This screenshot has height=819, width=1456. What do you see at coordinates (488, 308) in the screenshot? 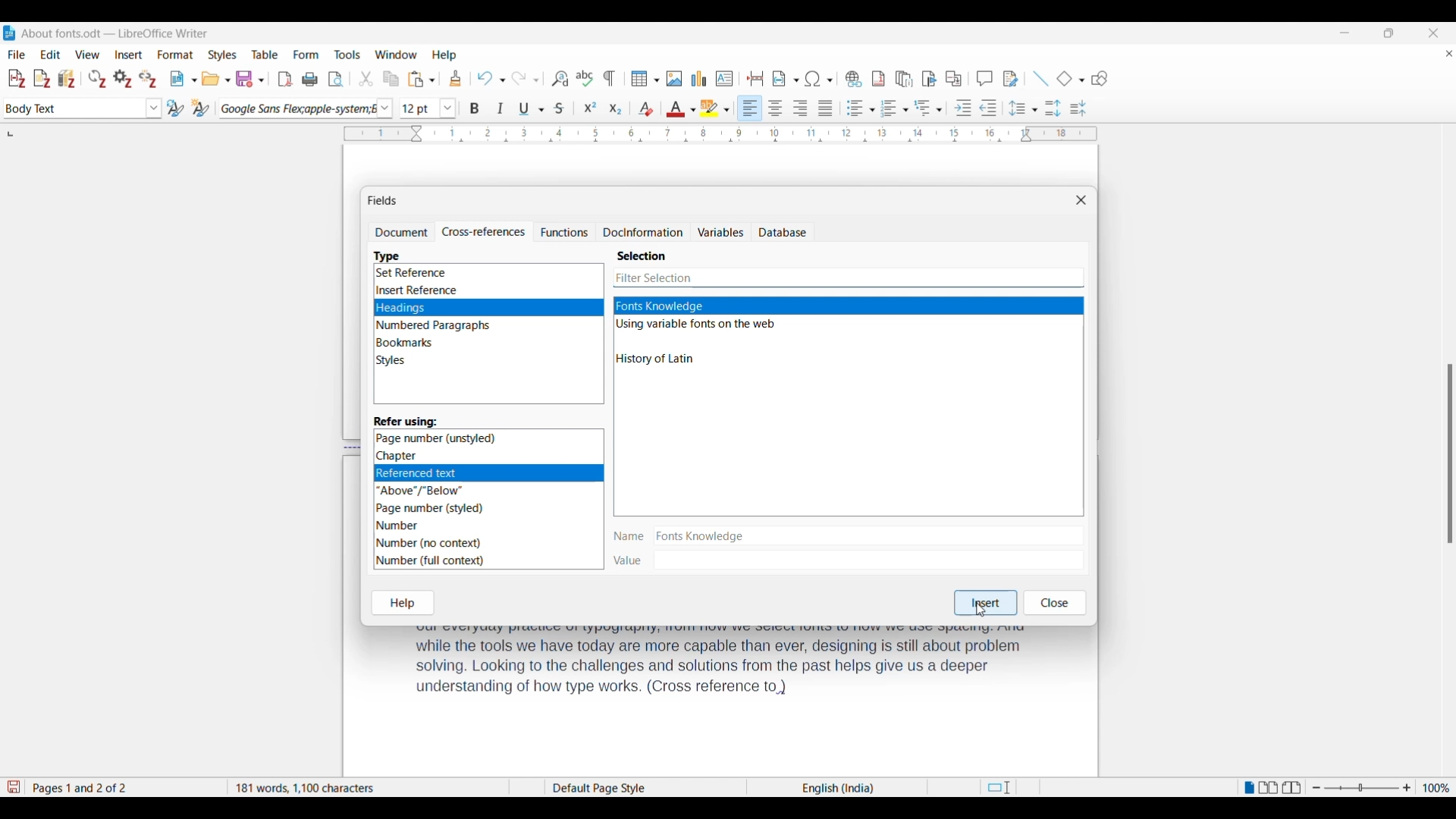
I see `Headings` at bounding box center [488, 308].